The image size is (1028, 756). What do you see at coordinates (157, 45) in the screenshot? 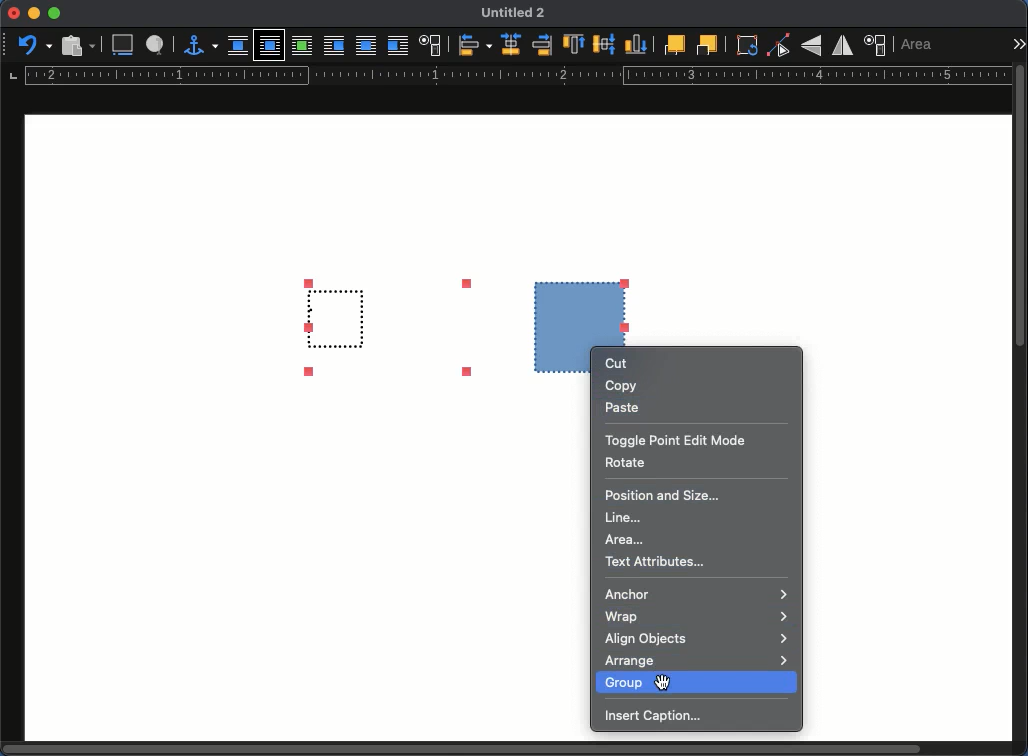
I see `a label to identify an object` at bounding box center [157, 45].